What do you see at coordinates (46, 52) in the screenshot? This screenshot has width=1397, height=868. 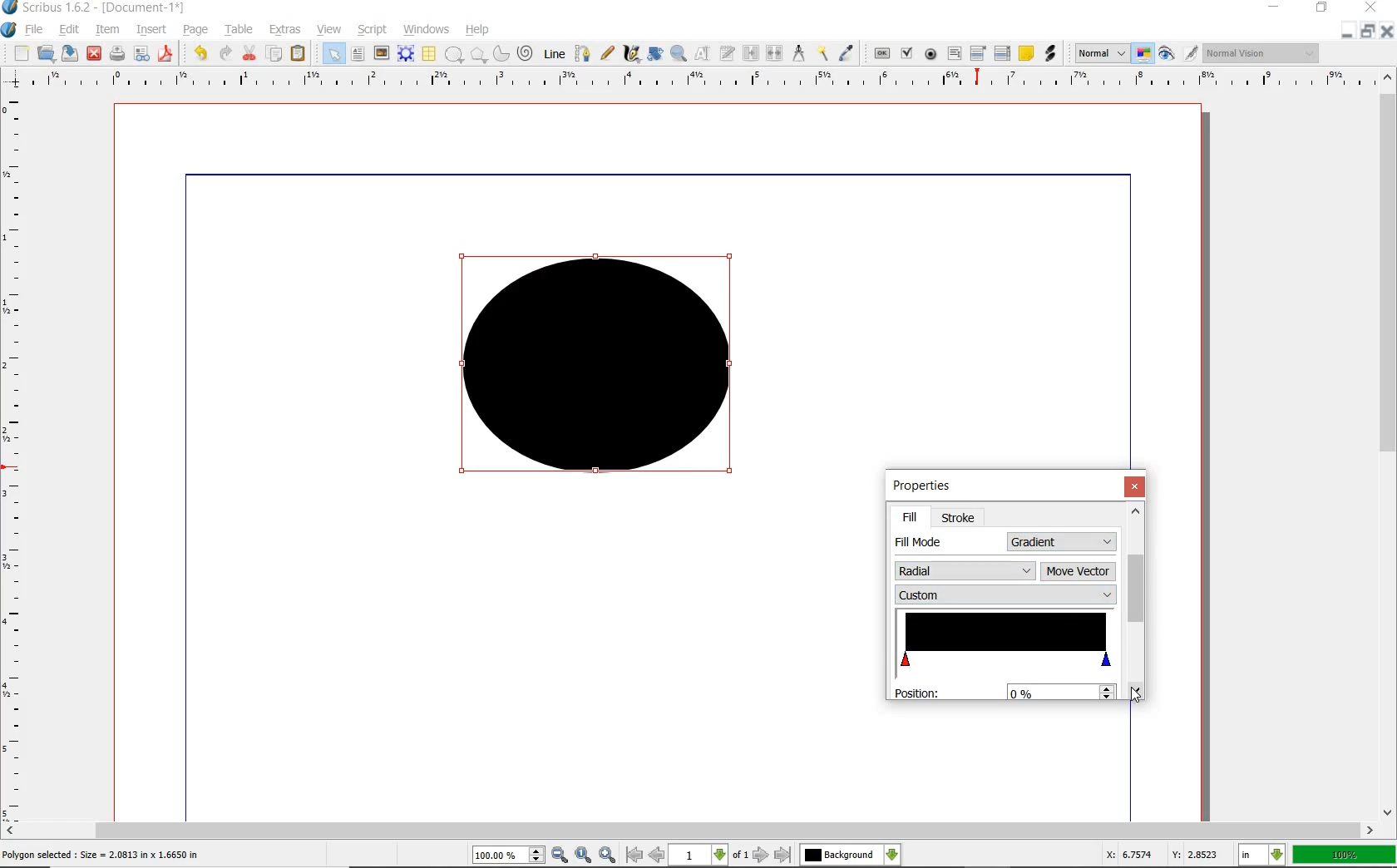 I see `OPEN` at bounding box center [46, 52].